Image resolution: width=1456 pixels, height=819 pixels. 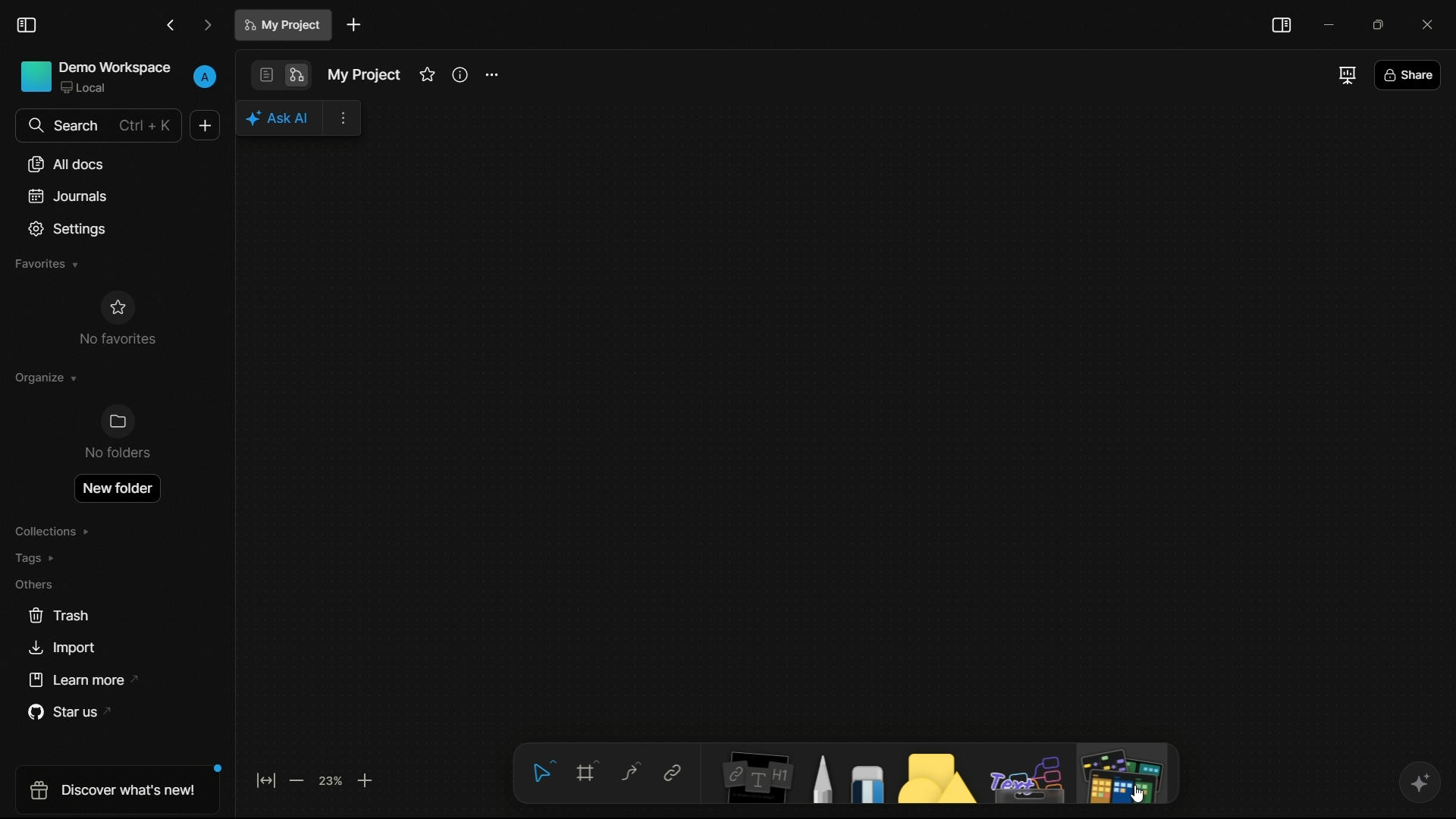 I want to click on favorites, so click(x=427, y=74).